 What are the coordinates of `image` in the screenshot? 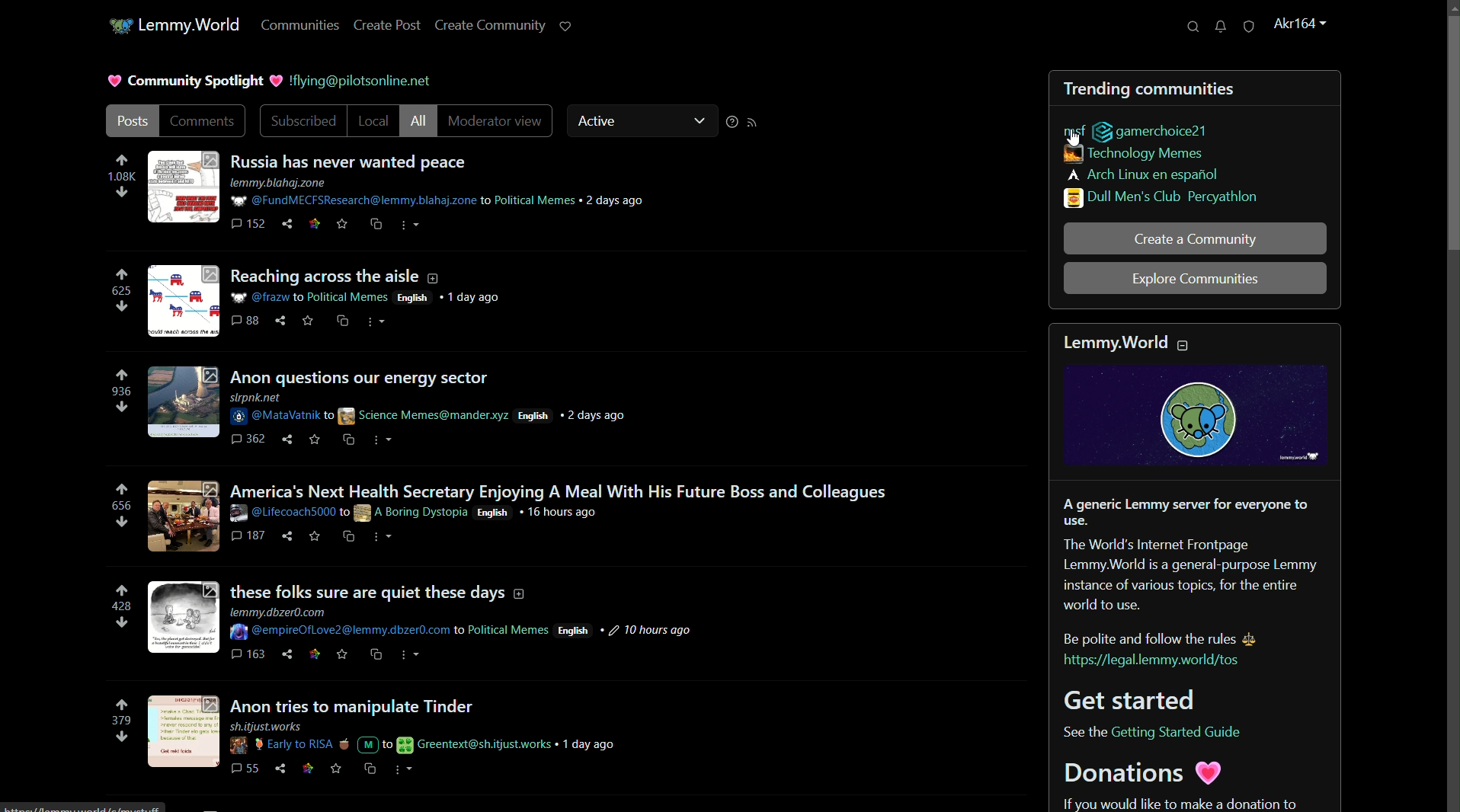 It's located at (181, 733).